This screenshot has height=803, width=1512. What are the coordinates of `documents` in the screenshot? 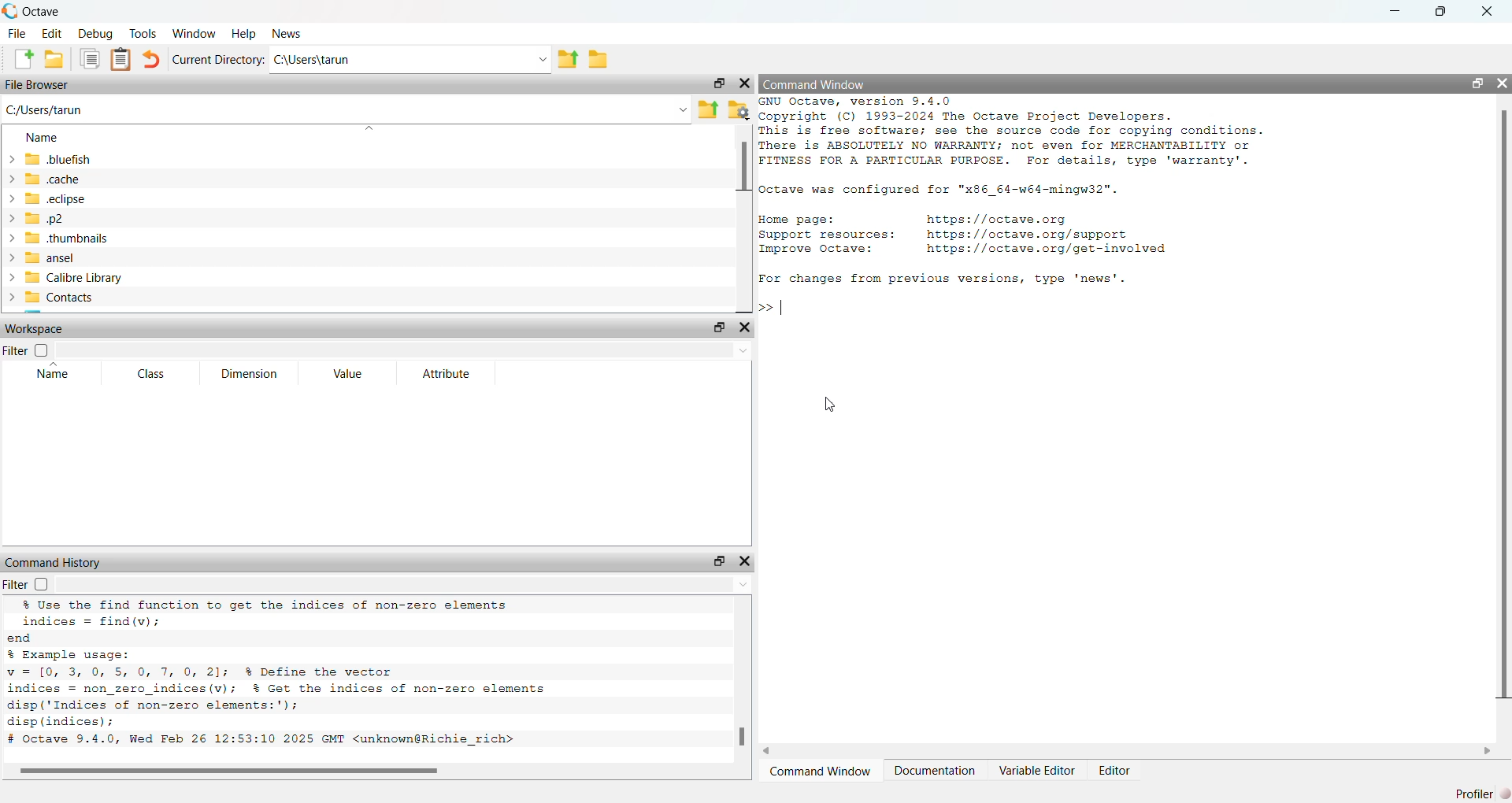 It's located at (91, 62).